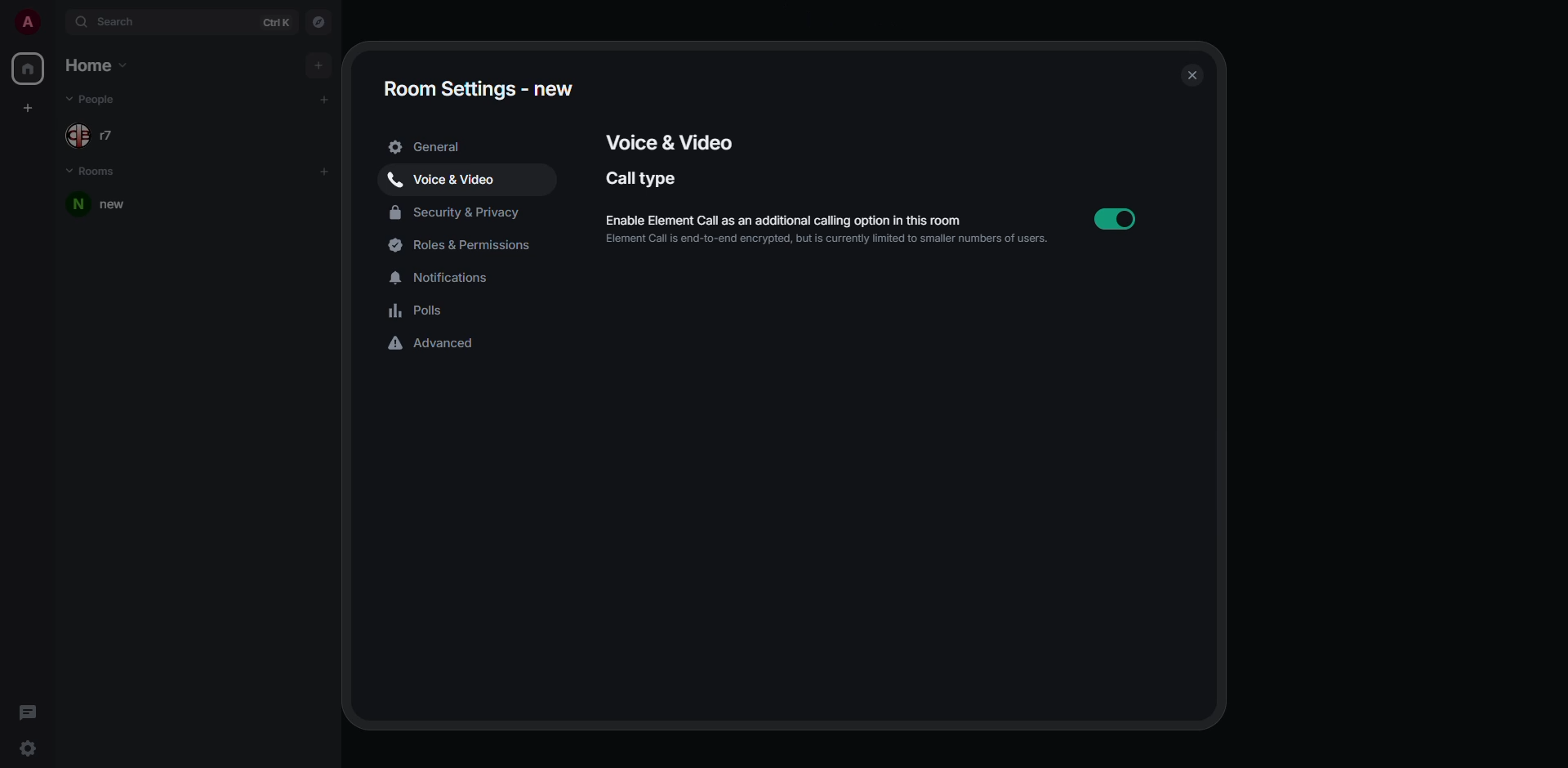 The image size is (1568, 768). I want to click on ctrl K, so click(277, 22).